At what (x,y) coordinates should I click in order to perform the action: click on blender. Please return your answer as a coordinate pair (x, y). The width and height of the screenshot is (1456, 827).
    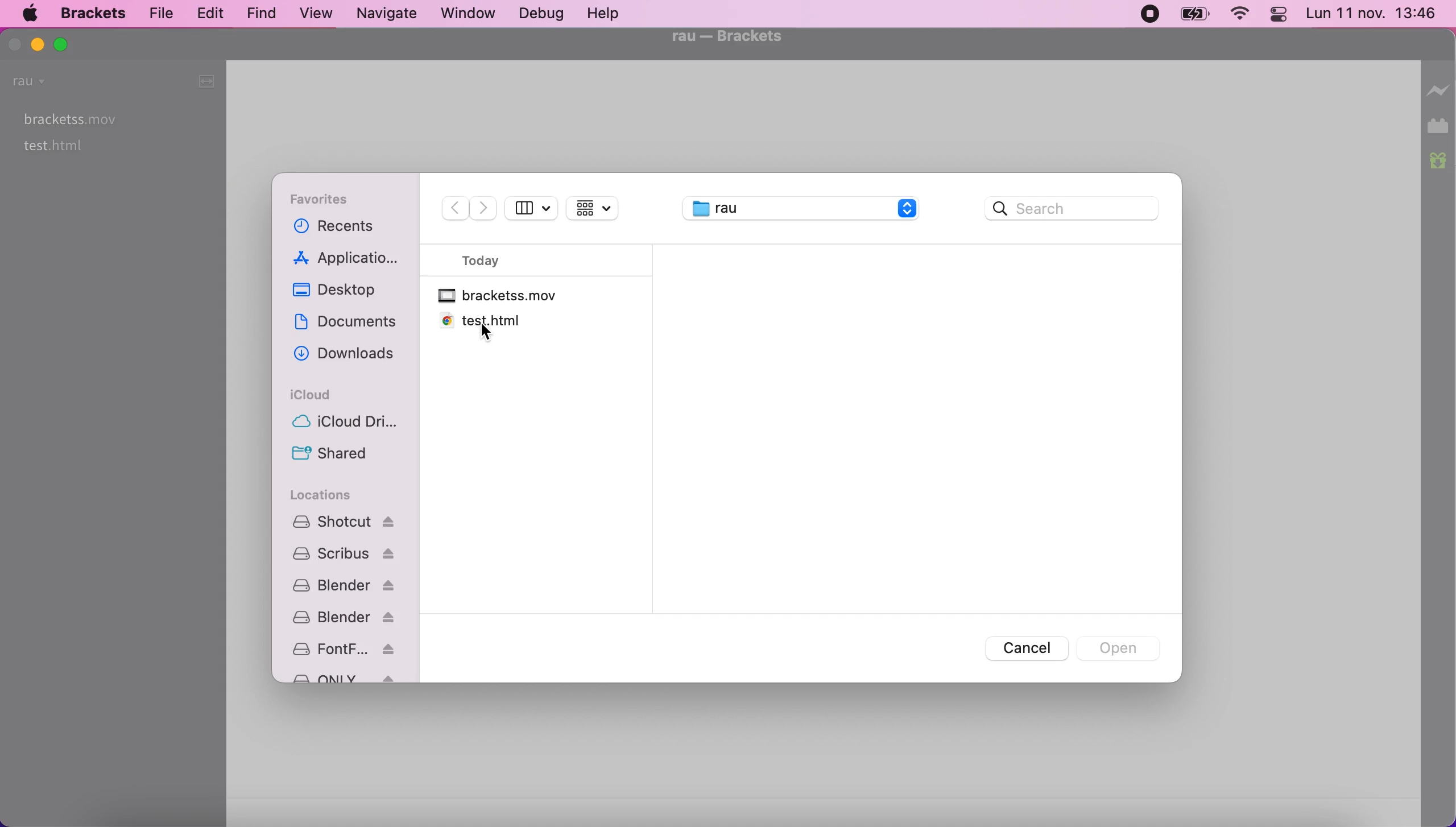
    Looking at the image, I should click on (349, 589).